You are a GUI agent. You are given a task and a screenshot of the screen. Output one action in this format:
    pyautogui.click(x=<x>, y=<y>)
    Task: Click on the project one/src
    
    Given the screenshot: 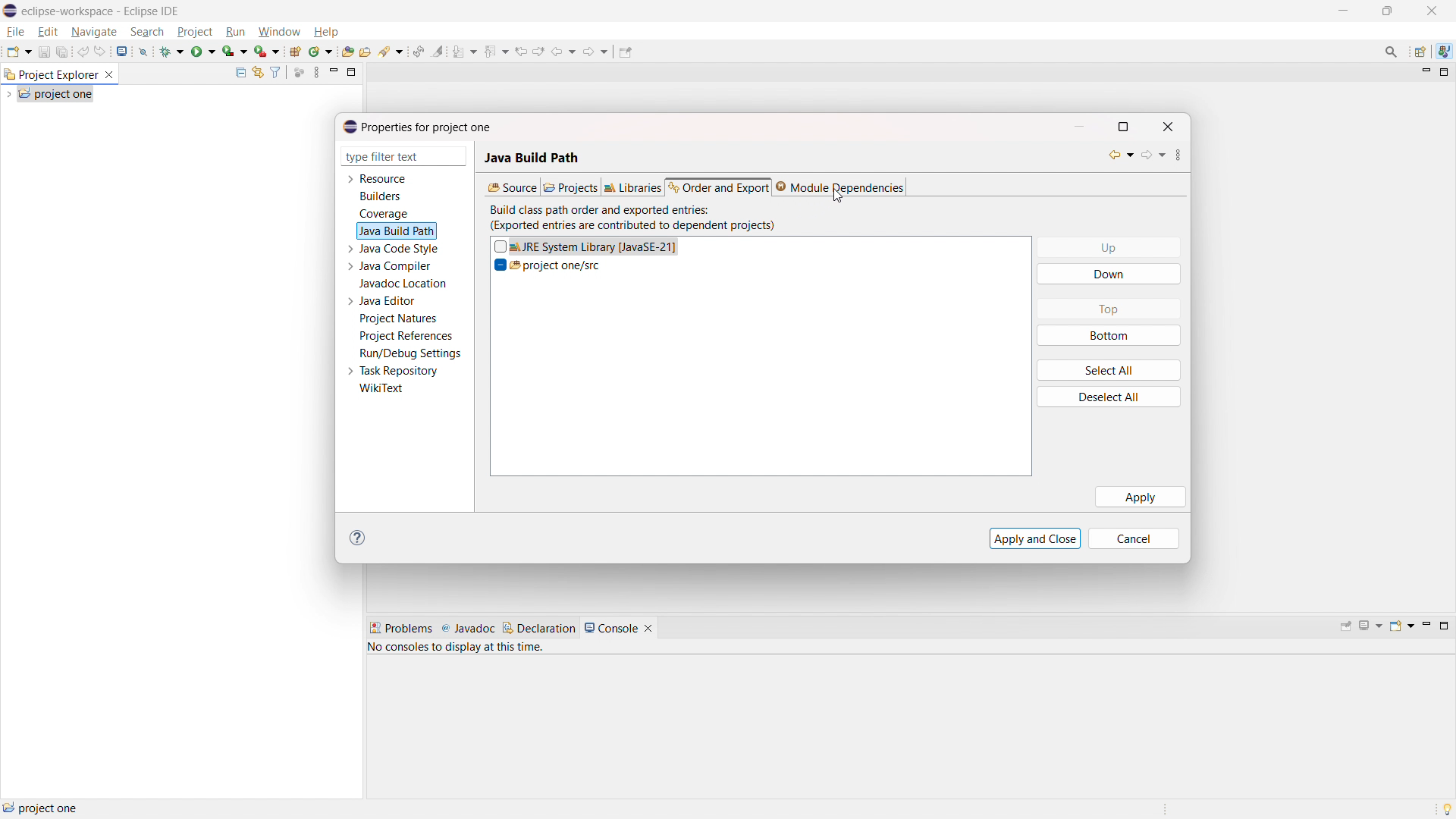 What is the action you would take?
    pyautogui.click(x=547, y=266)
    